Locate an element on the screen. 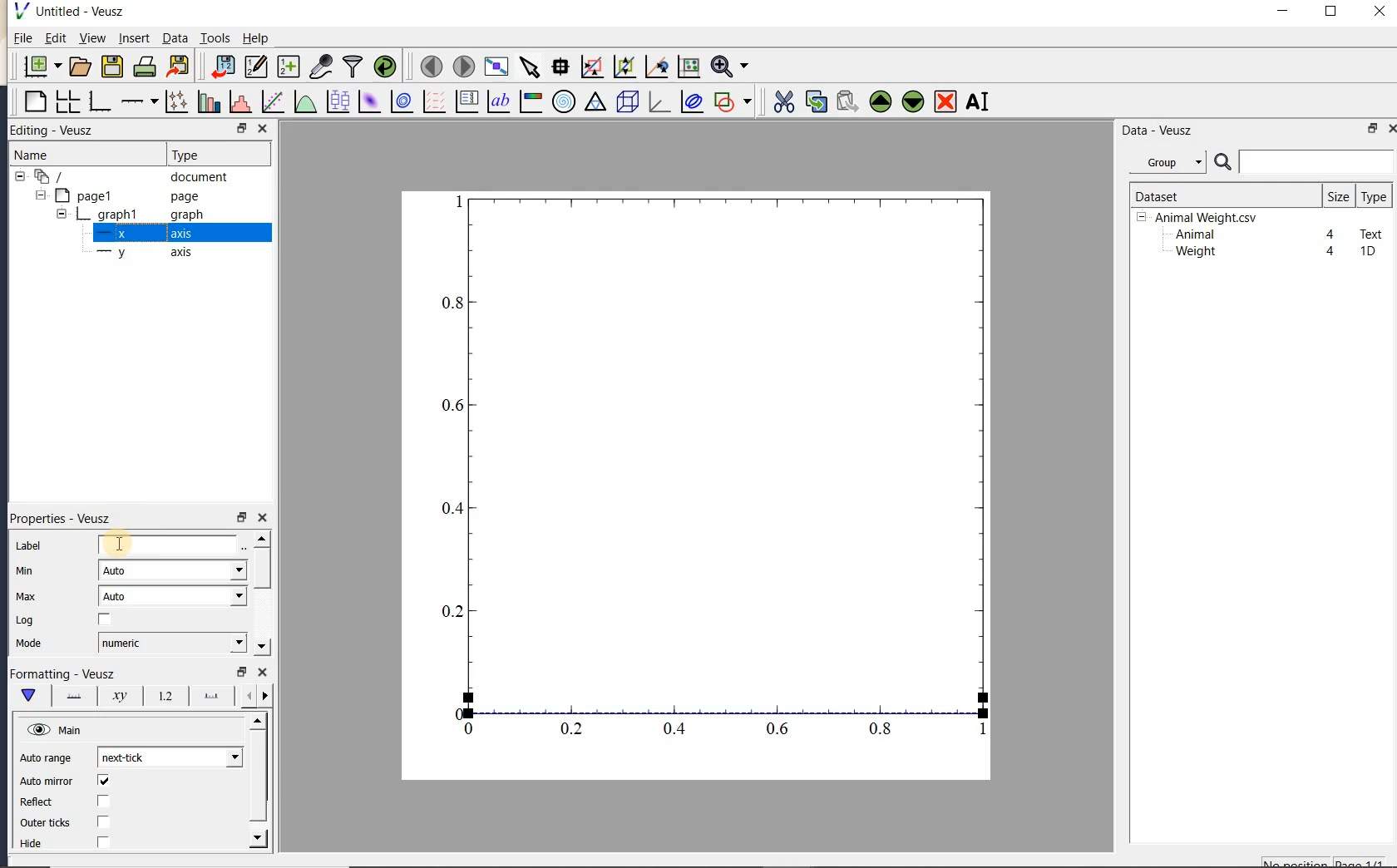 The width and height of the screenshot is (1397, 868). Auto is located at coordinates (173, 596).